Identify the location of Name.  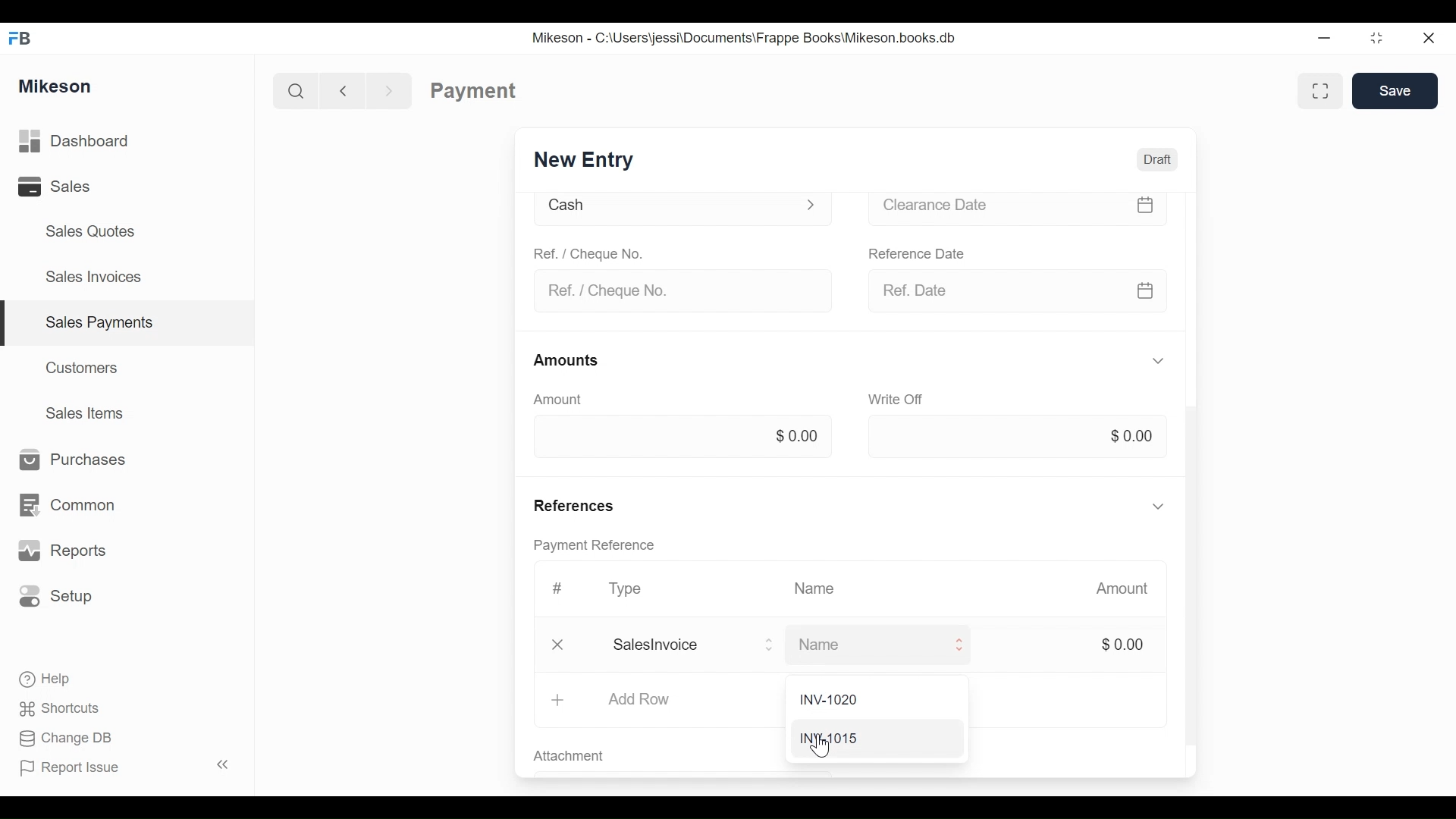
(881, 645).